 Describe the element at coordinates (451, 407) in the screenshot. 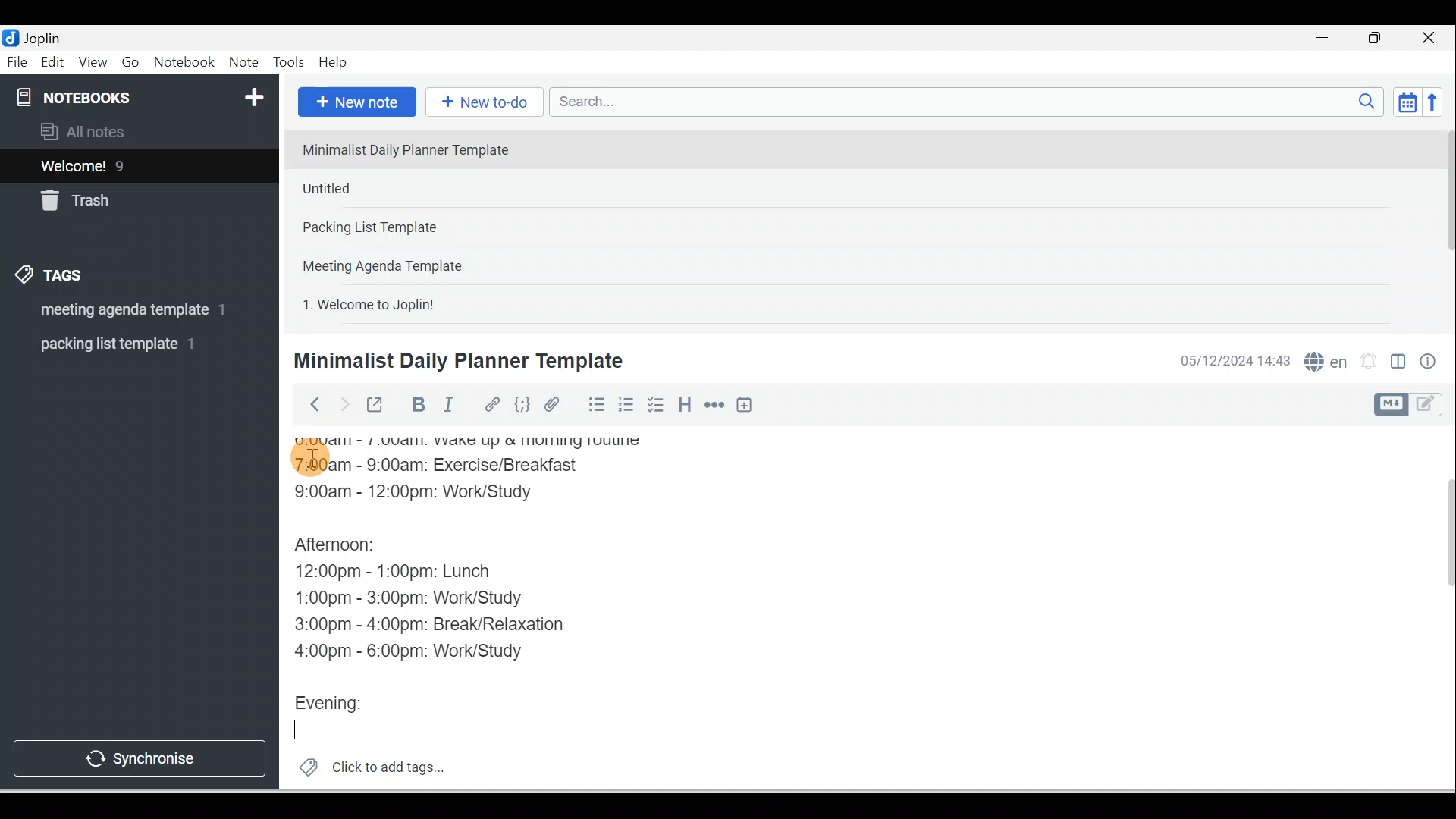

I see `Italic` at that location.